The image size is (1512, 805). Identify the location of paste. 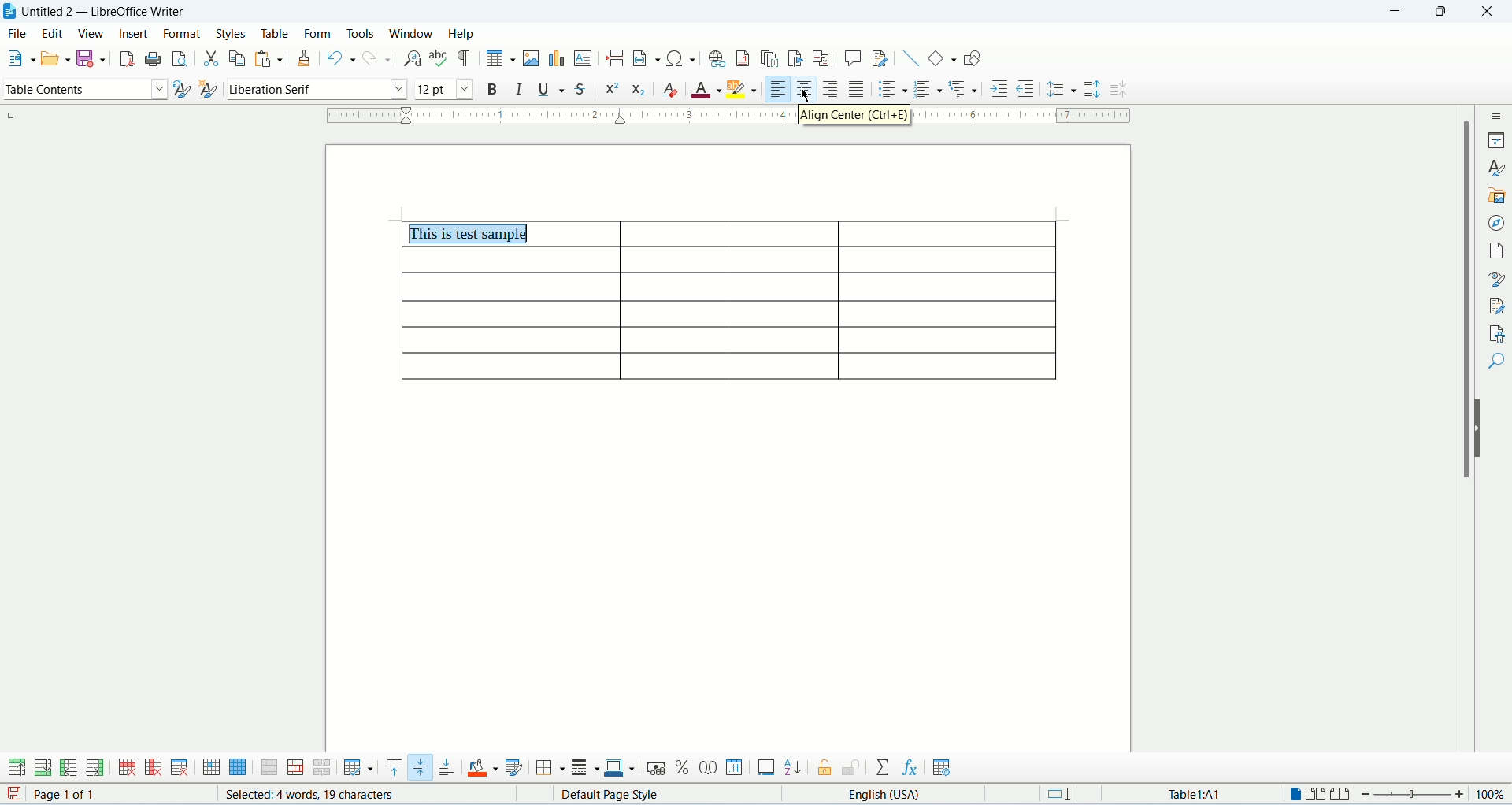
(265, 60).